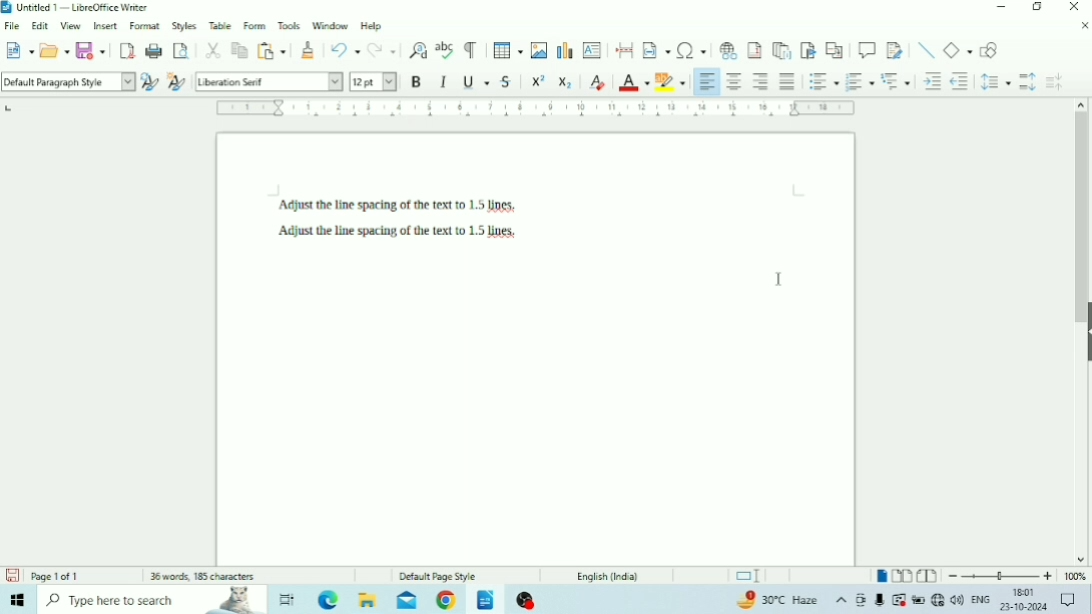 This screenshot has width=1092, height=614. Describe the element at coordinates (40, 26) in the screenshot. I see `Edit` at that location.